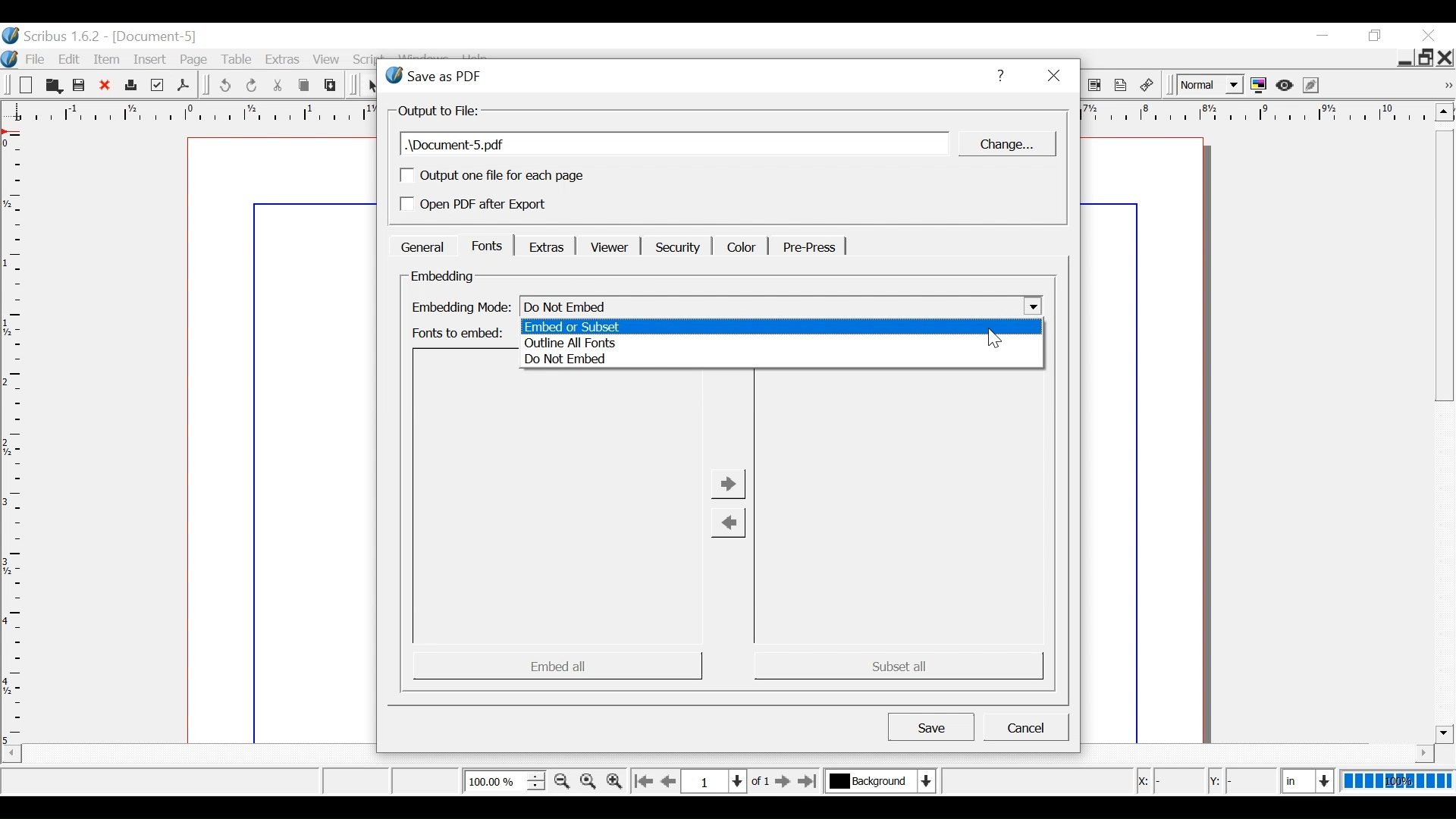 The width and height of the screenshot is (1456, 819). What do you see at coordinates (1121, 86) in the screenshot?
I see `Text Annotation` at bounding box center [1121, 86].